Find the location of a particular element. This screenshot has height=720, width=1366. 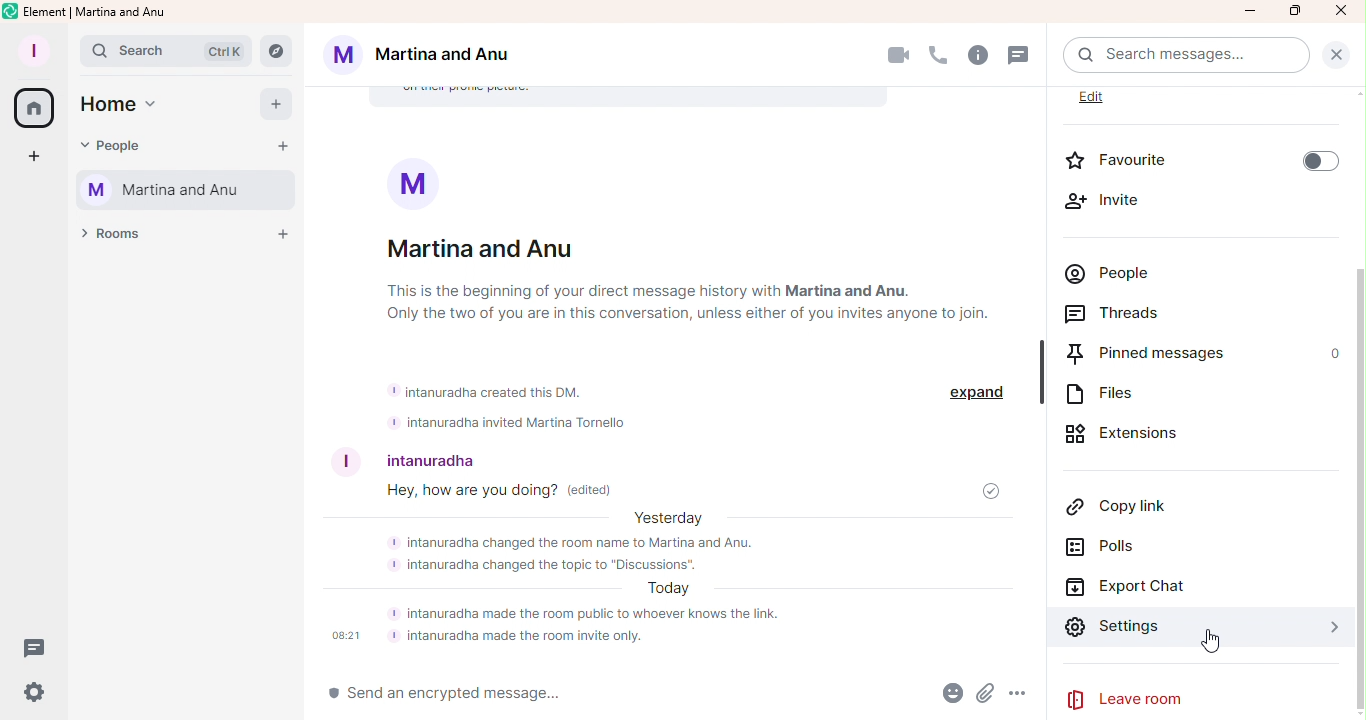

Maximize is located at coordinates (1293, 12).